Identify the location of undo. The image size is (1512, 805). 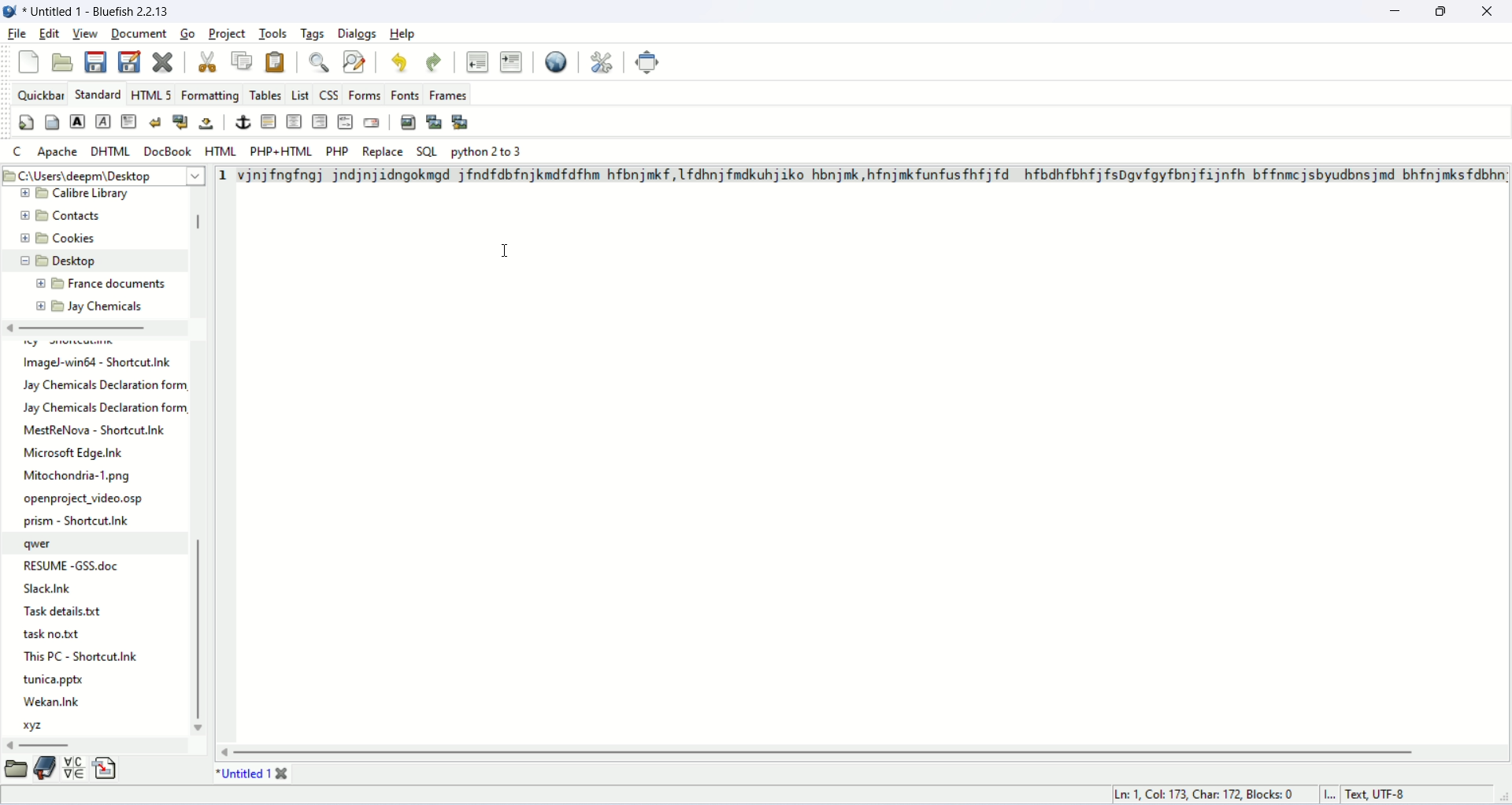
(400, 61).